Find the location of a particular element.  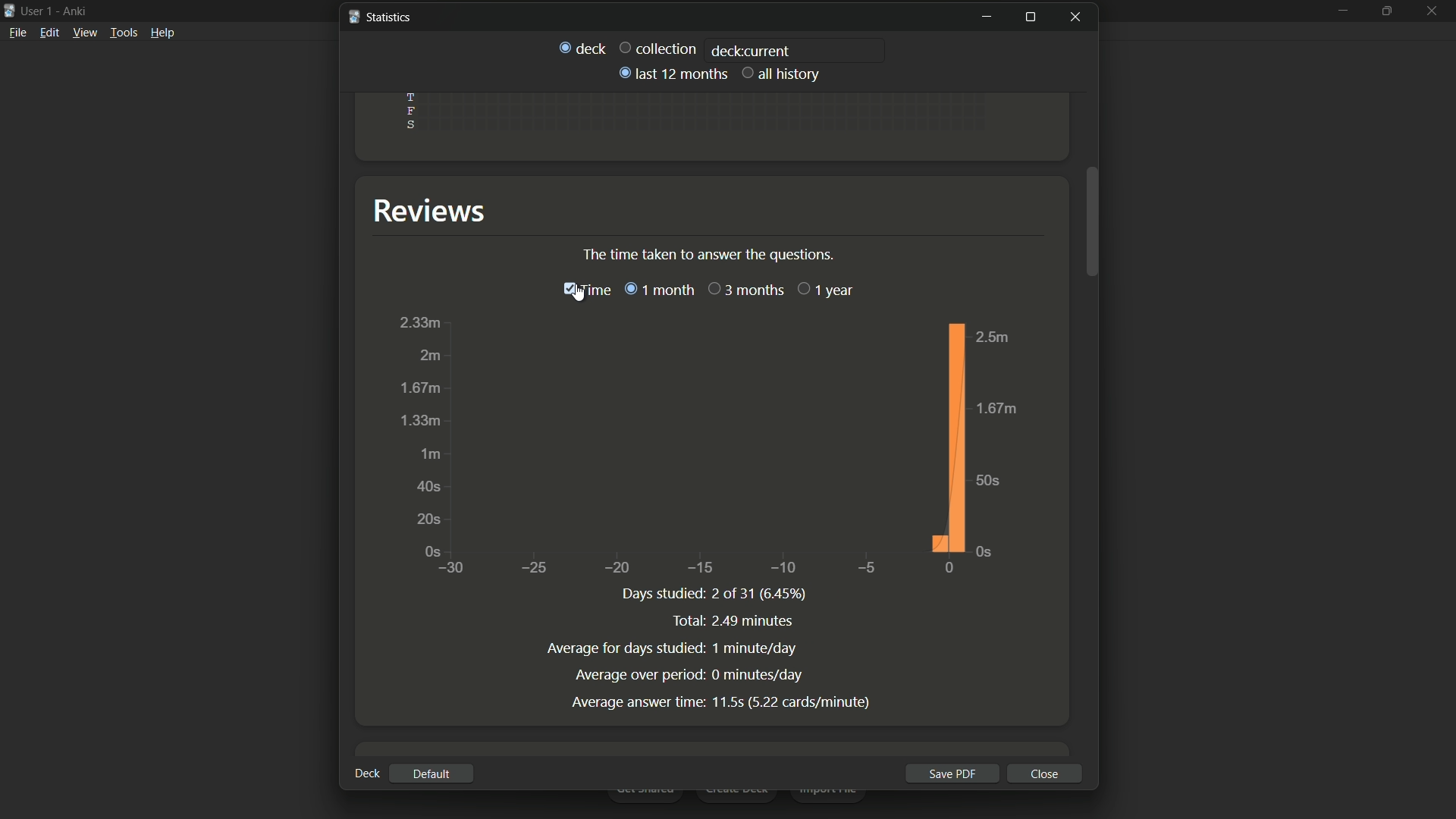

edit menu is located at coordinates (49, 33).